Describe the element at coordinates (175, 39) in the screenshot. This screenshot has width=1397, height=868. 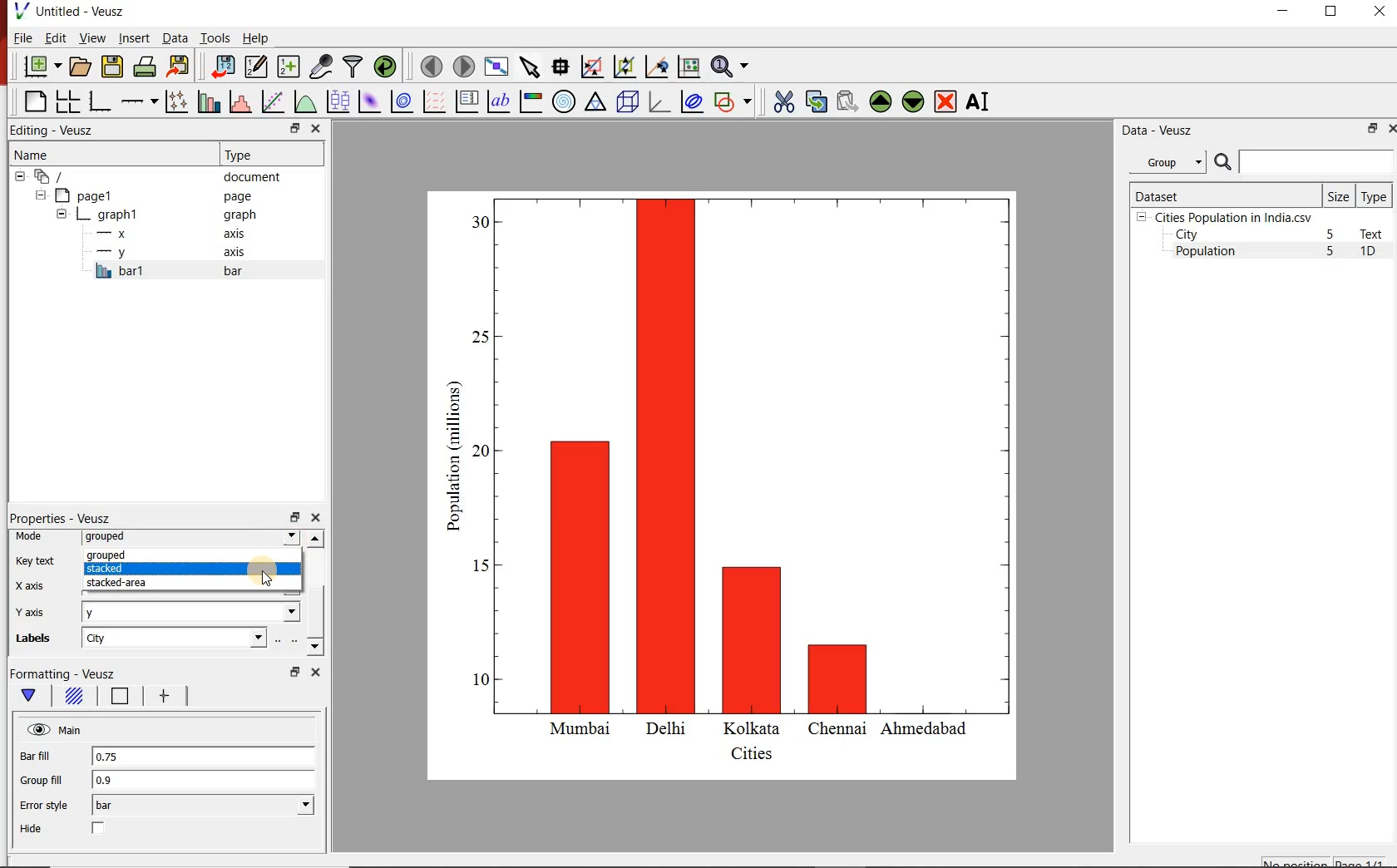
I see `Data` at that location.